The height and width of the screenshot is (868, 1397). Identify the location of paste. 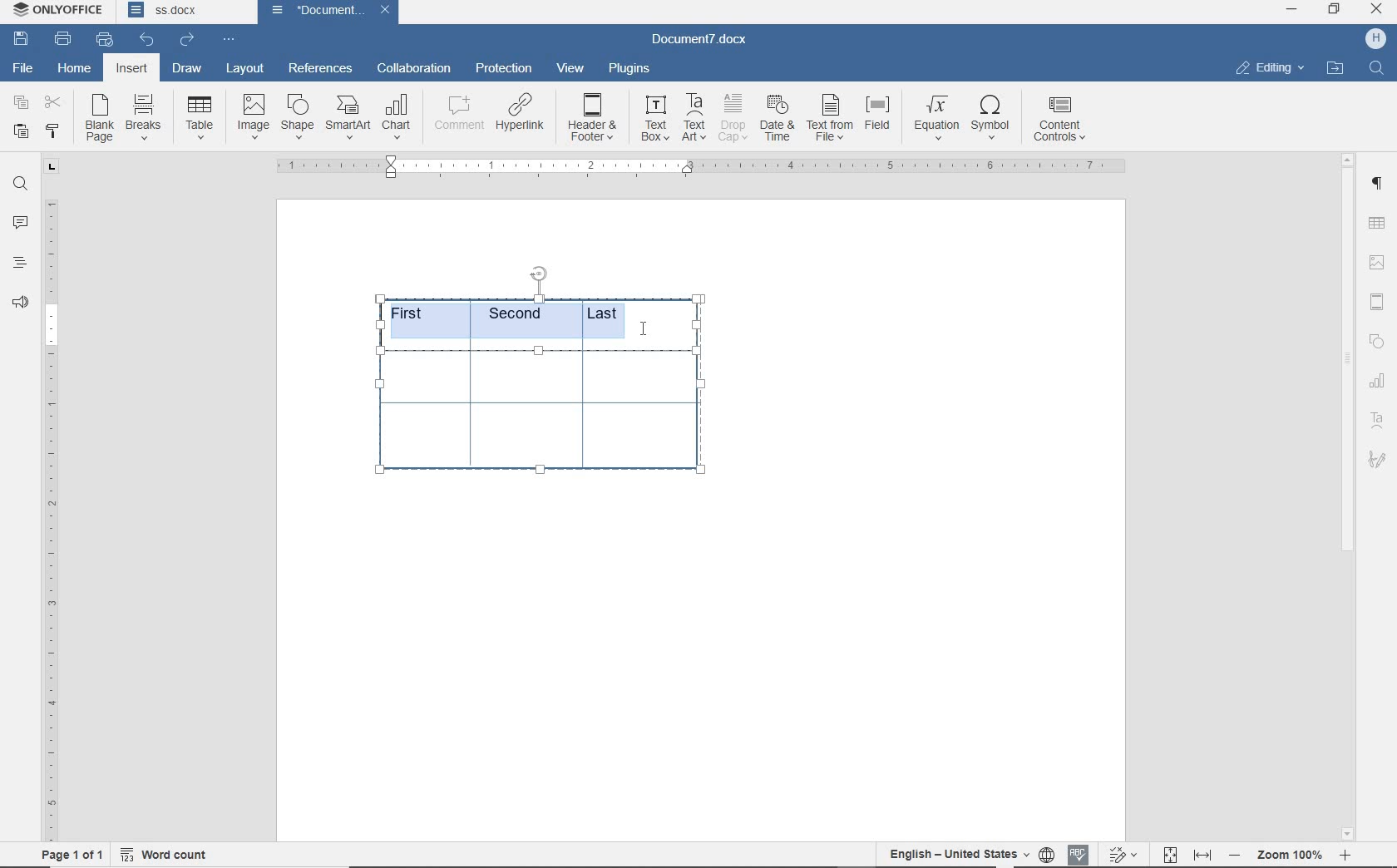
(20, 131).